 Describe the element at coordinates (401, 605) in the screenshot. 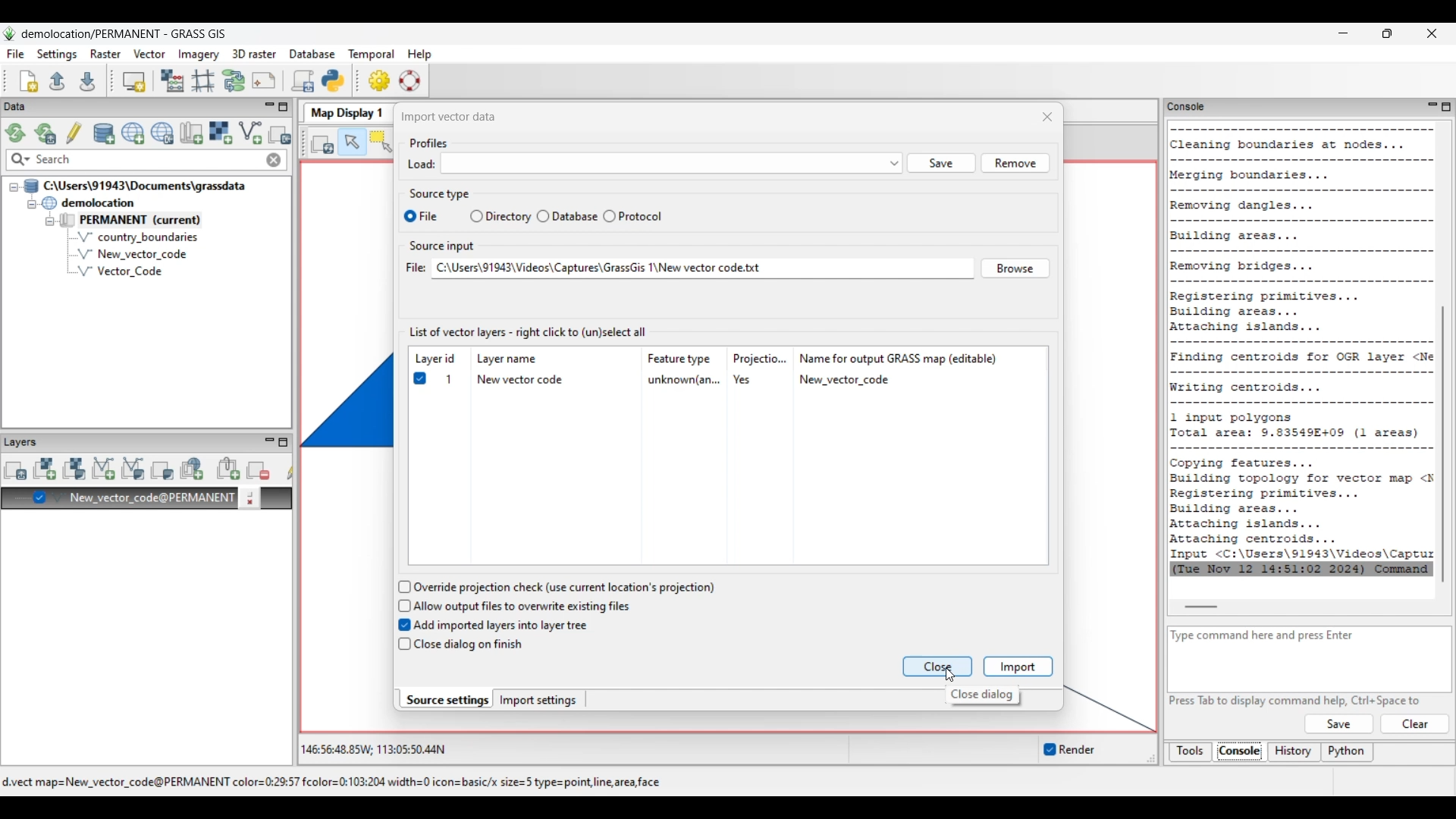

I see `checkbox` at that location.